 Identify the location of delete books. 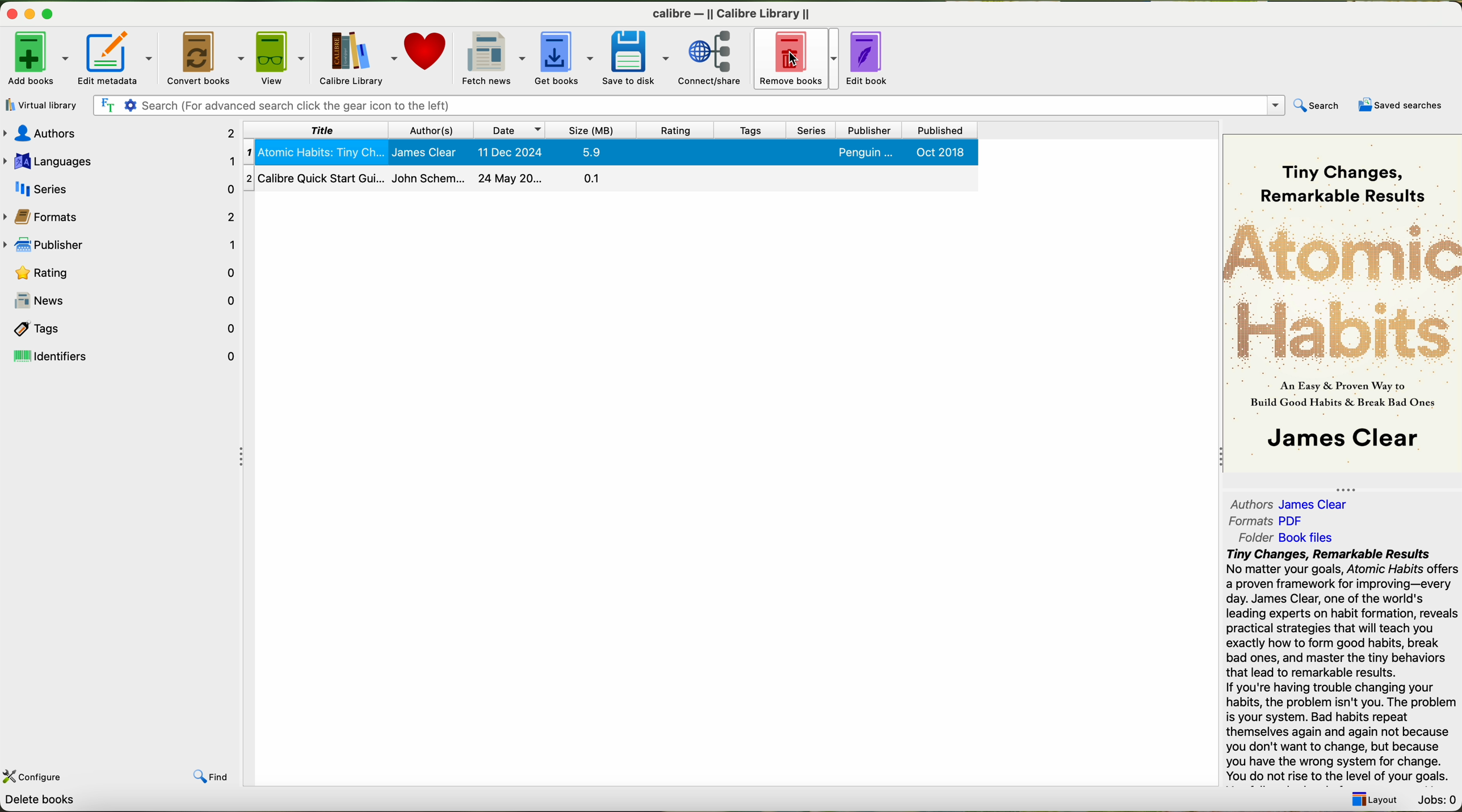
(39, 801).